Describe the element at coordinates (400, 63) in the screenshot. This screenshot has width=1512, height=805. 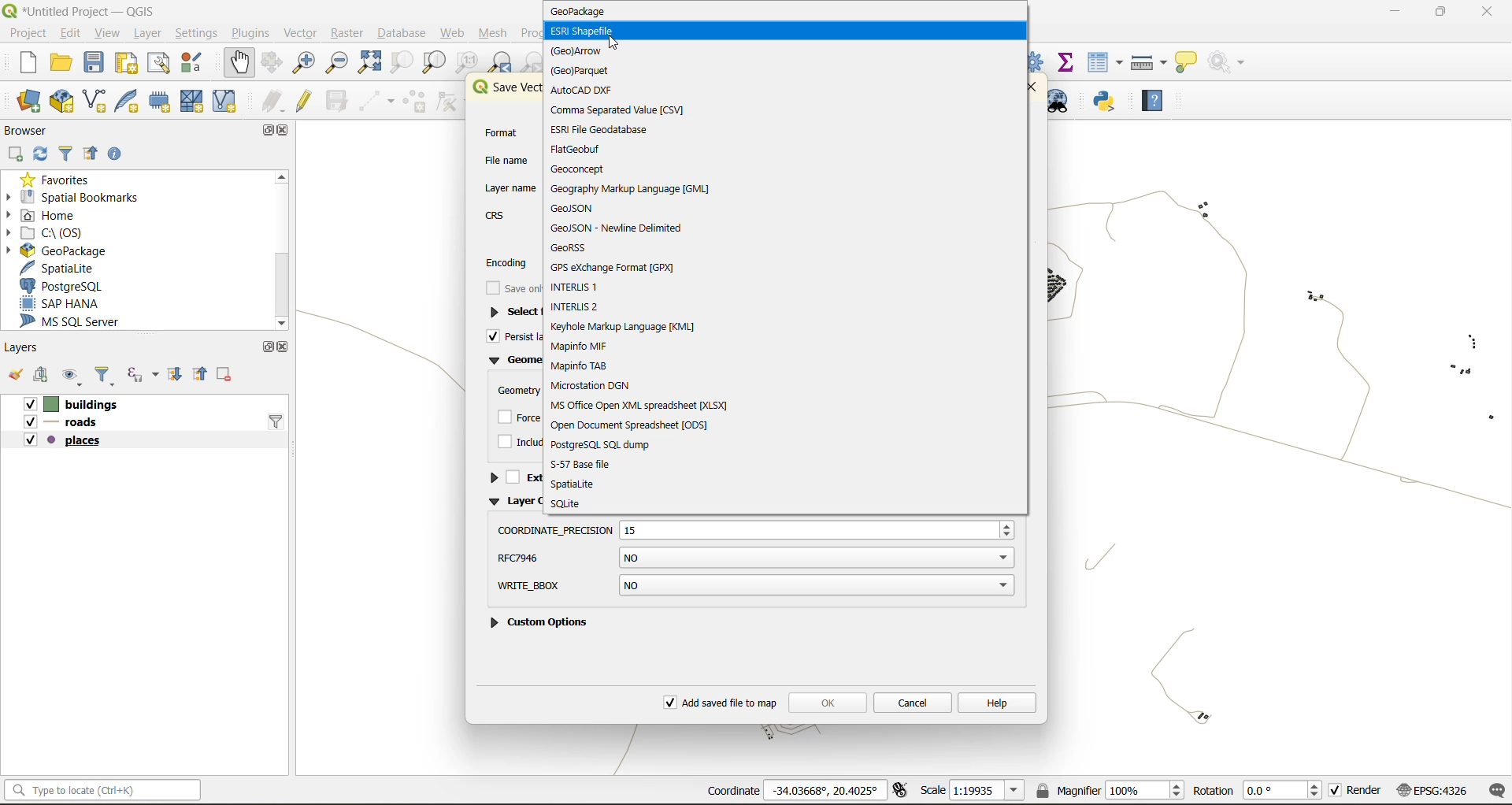
I see `zoom selection` at that location.